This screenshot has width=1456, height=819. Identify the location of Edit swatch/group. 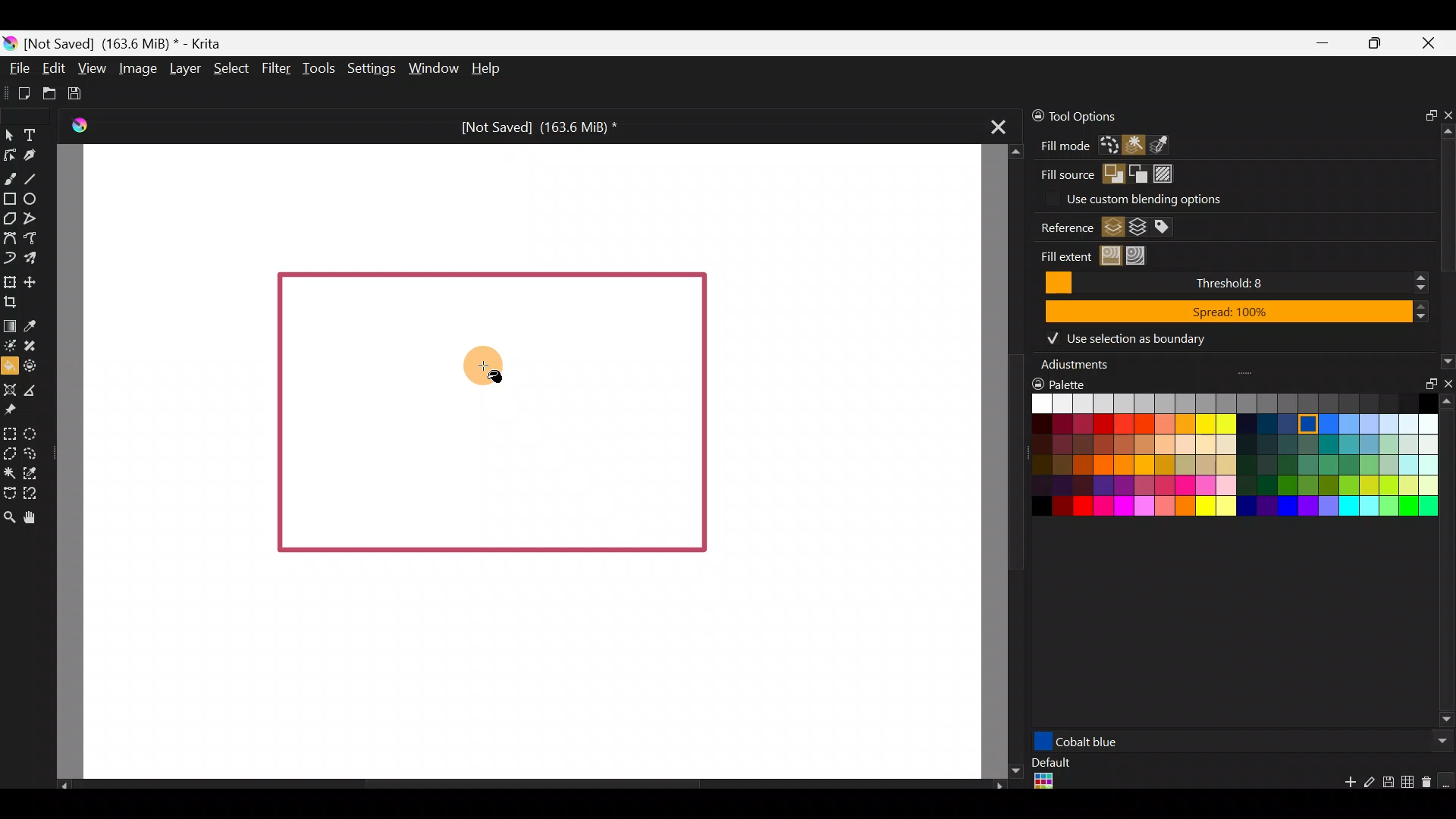
(1370, 786).